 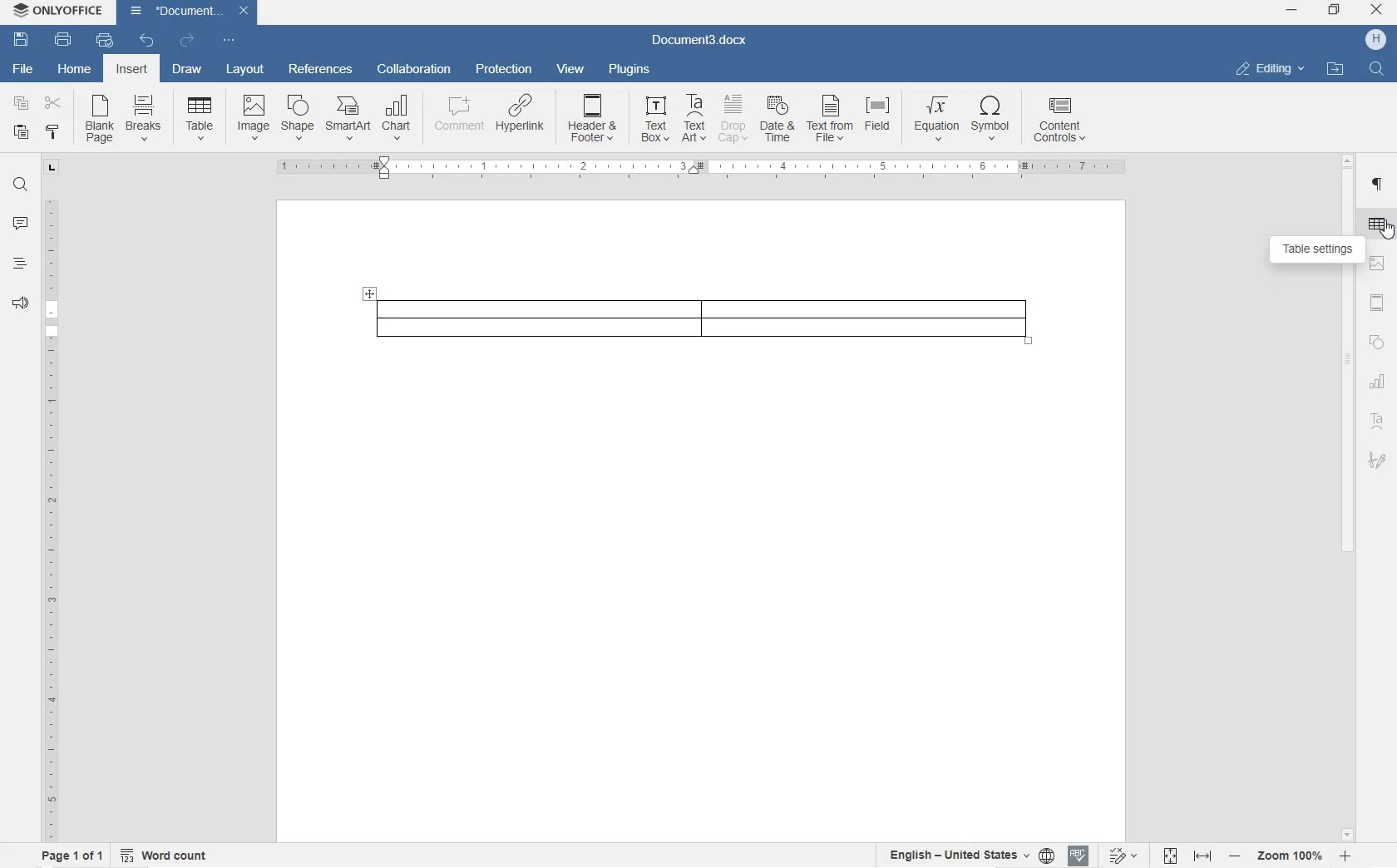 I want to click on CHART, so click(x=1379, y=384).